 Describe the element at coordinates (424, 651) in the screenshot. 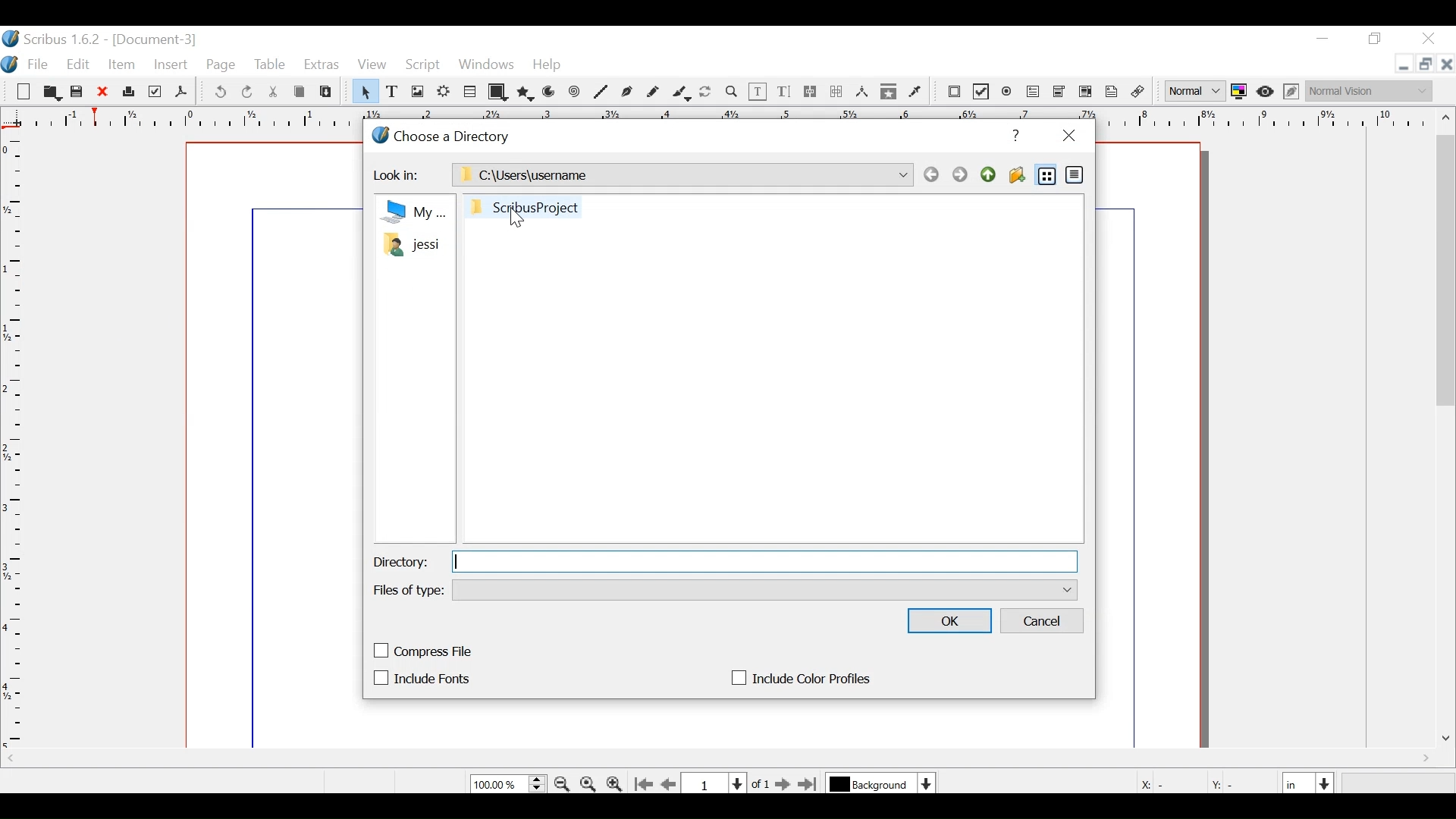

I see `(un)check compress file` at that location.